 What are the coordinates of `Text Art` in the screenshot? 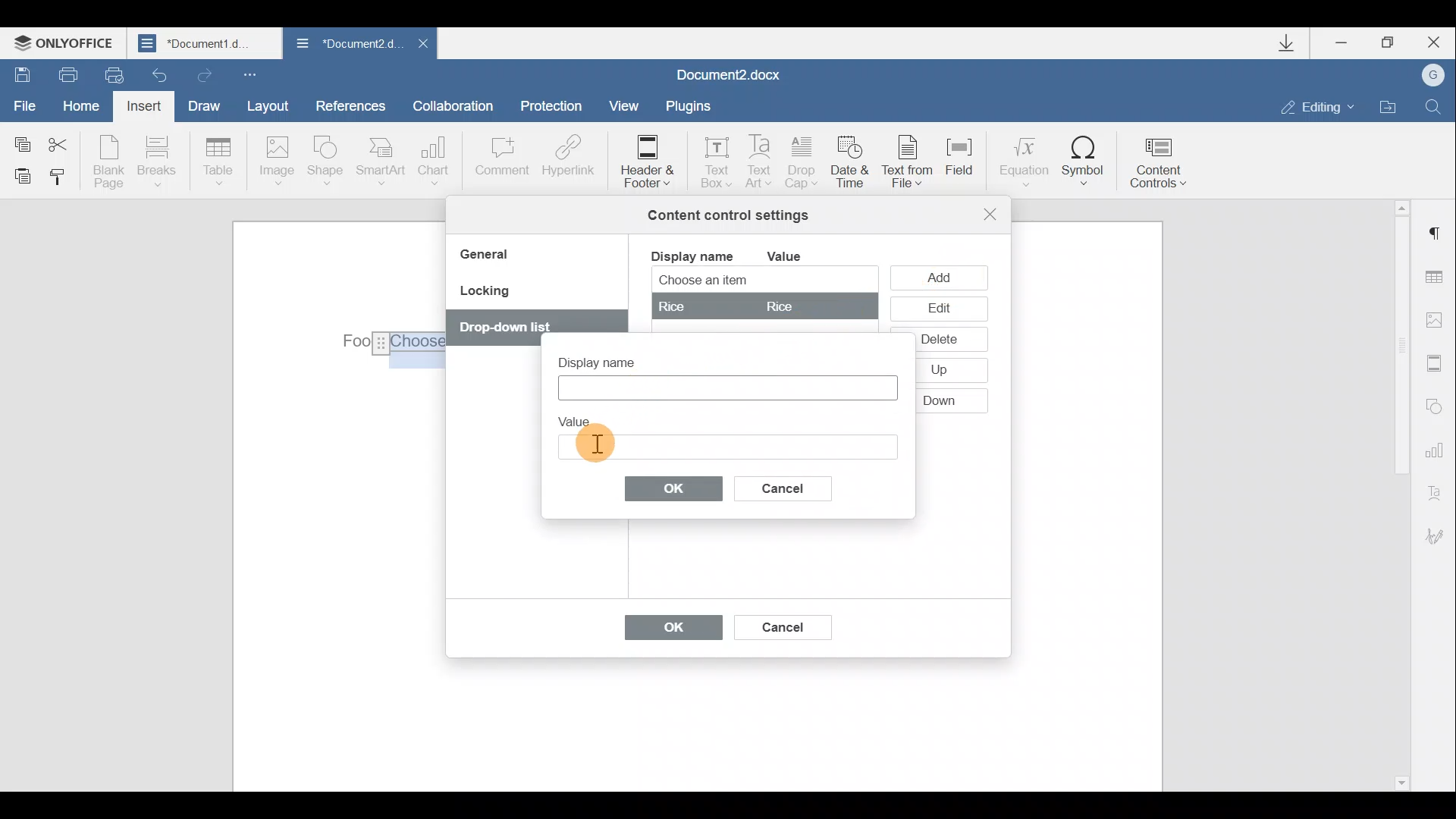 It's located at (761, 162).